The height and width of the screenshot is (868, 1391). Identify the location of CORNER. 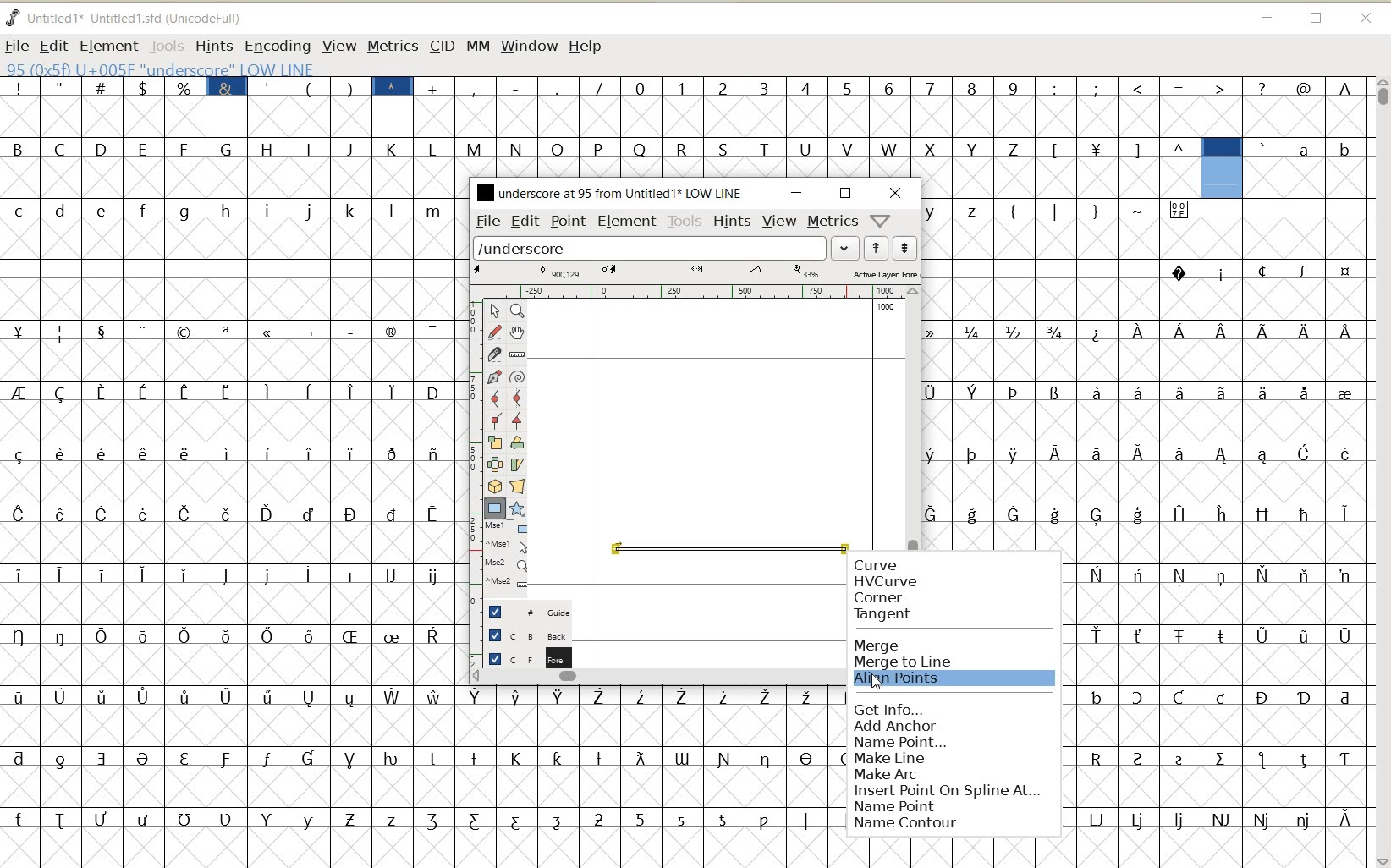
(878, 598).